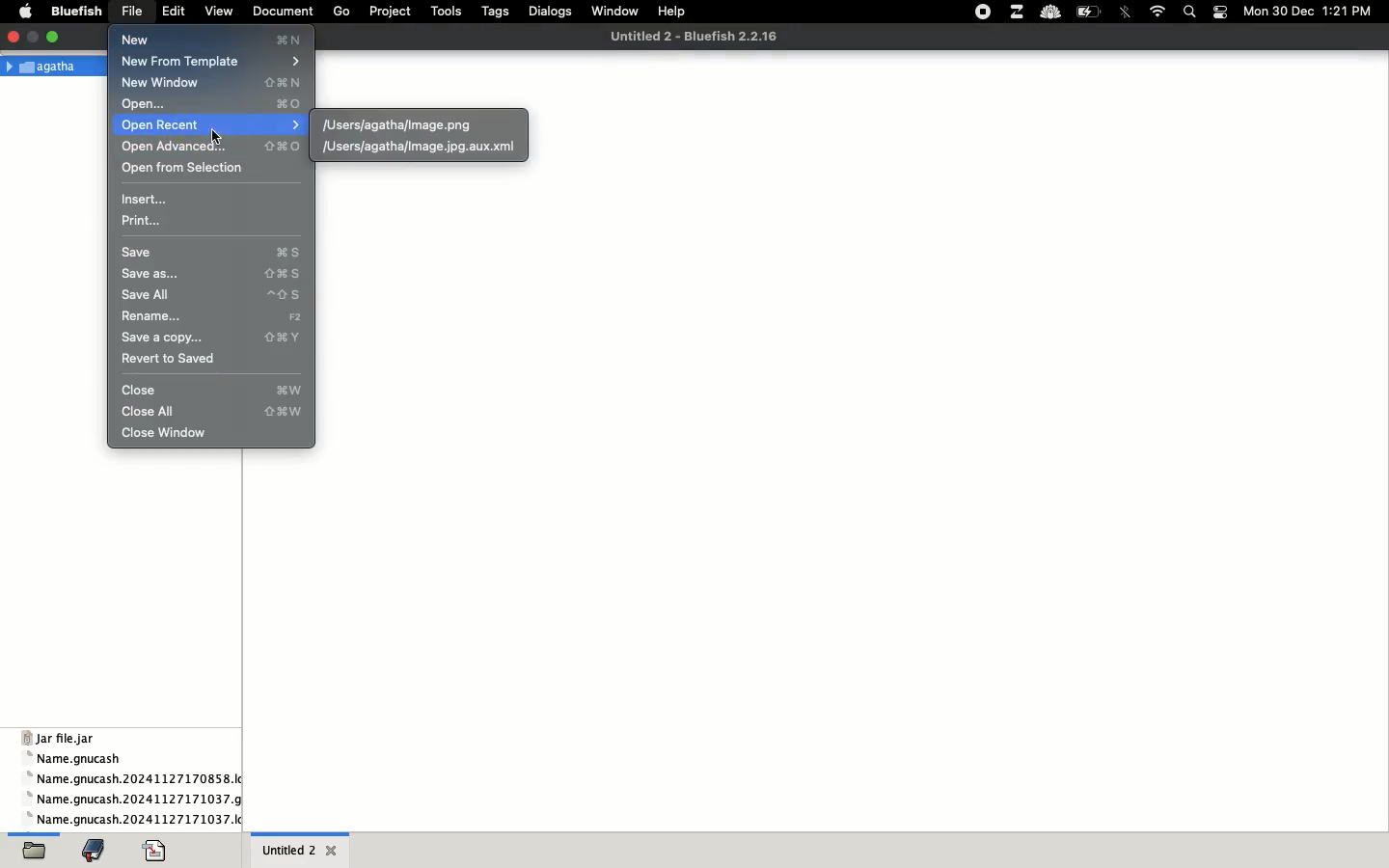 The image size is (1389, 868). I want to click on document , so click(288, 12).